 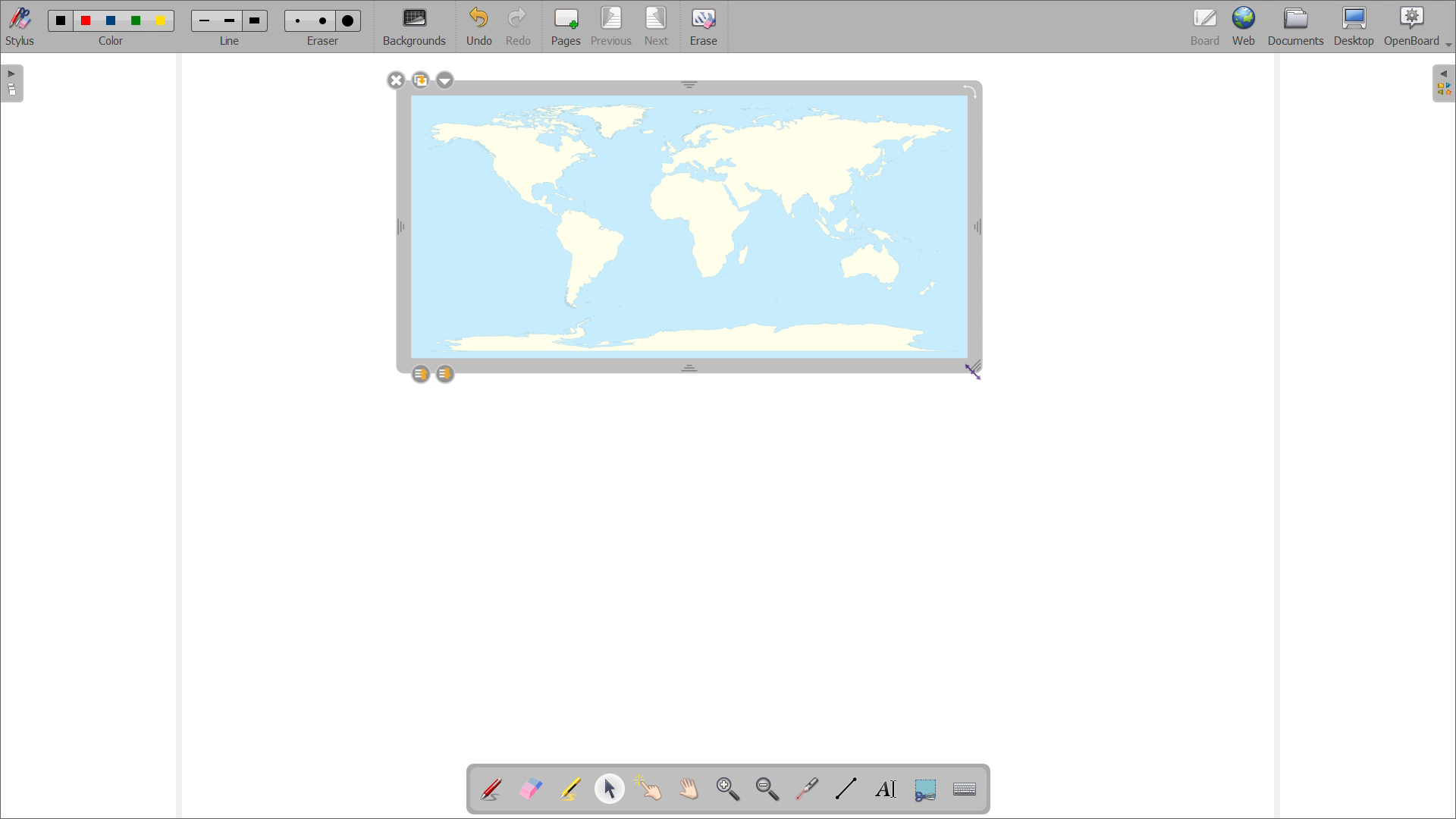 What do you see at coordinates (478, 26) in the screenshot?
I see `undo` at bounding box center [478, 26].